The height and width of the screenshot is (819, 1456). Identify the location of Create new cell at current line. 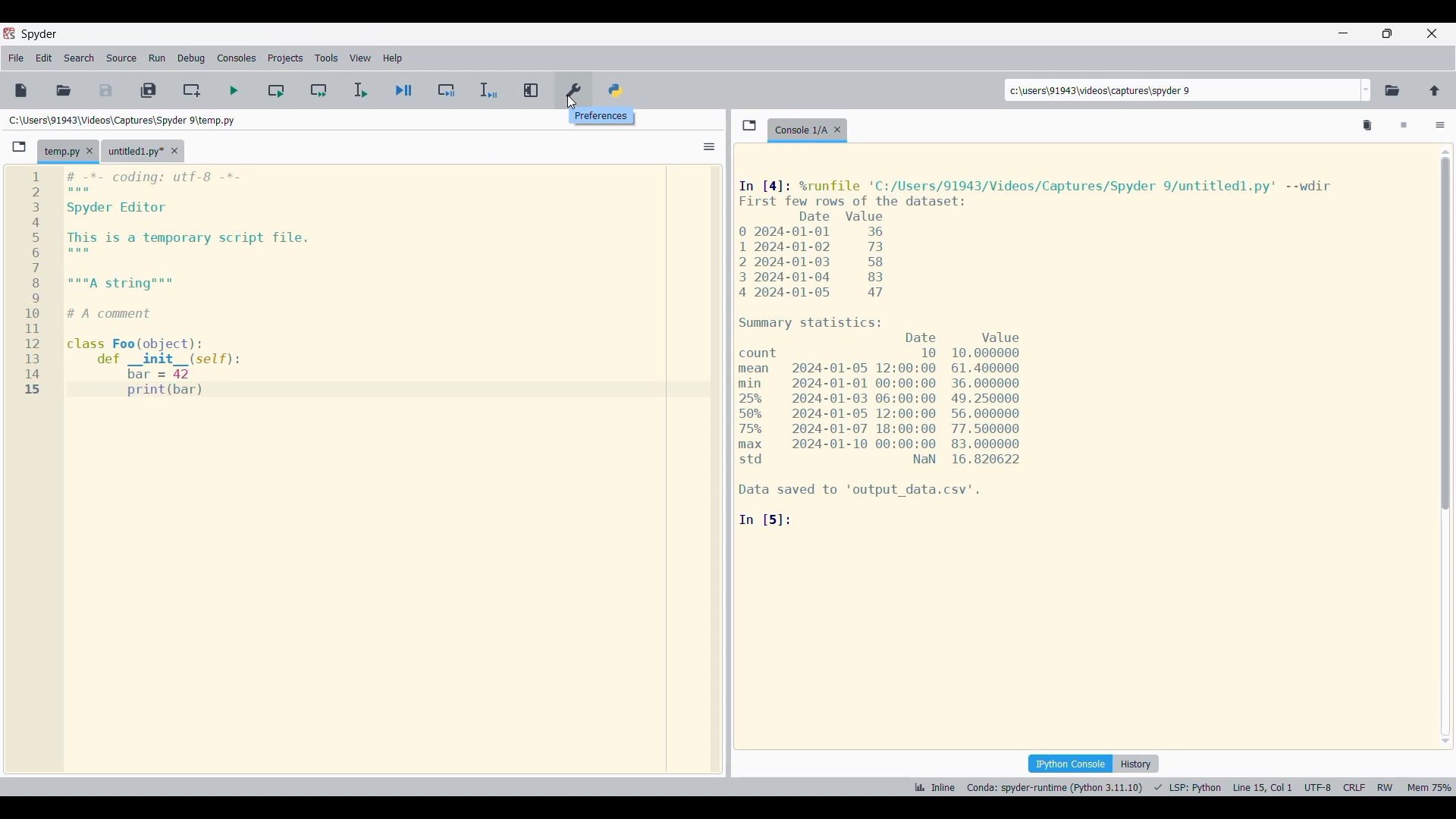
(192, 91).